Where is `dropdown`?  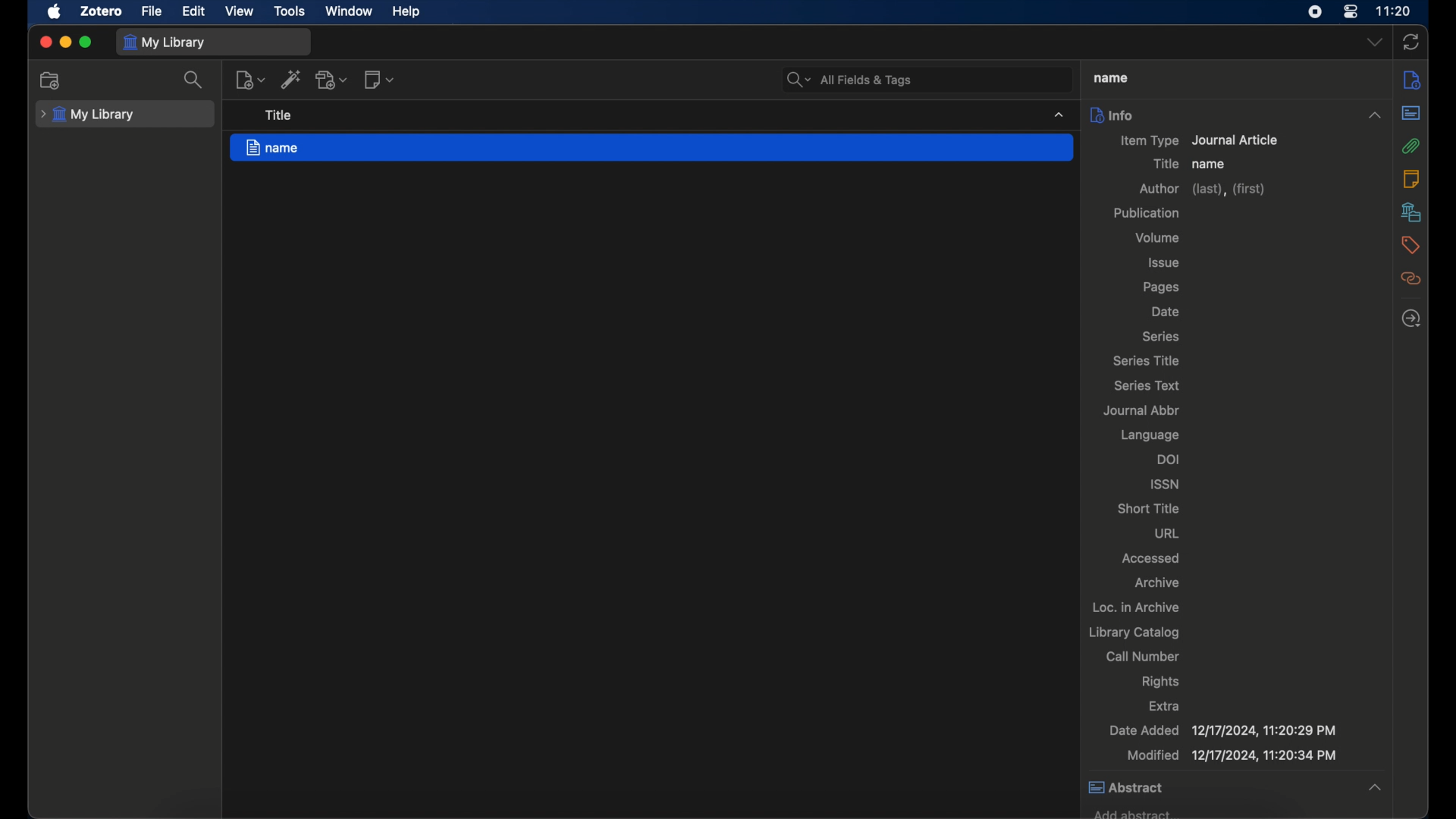
dropdown is located at coordinates (1059, 114).